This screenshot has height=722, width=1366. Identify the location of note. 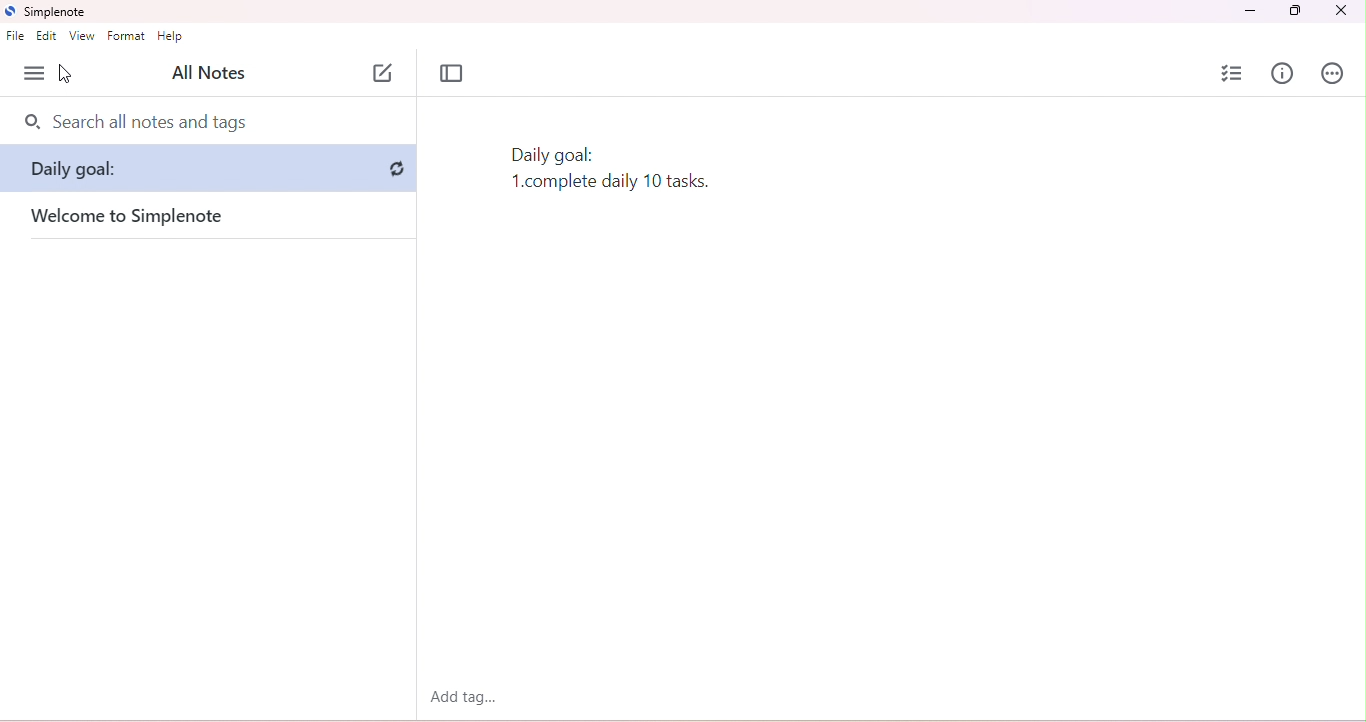
(185, 167).